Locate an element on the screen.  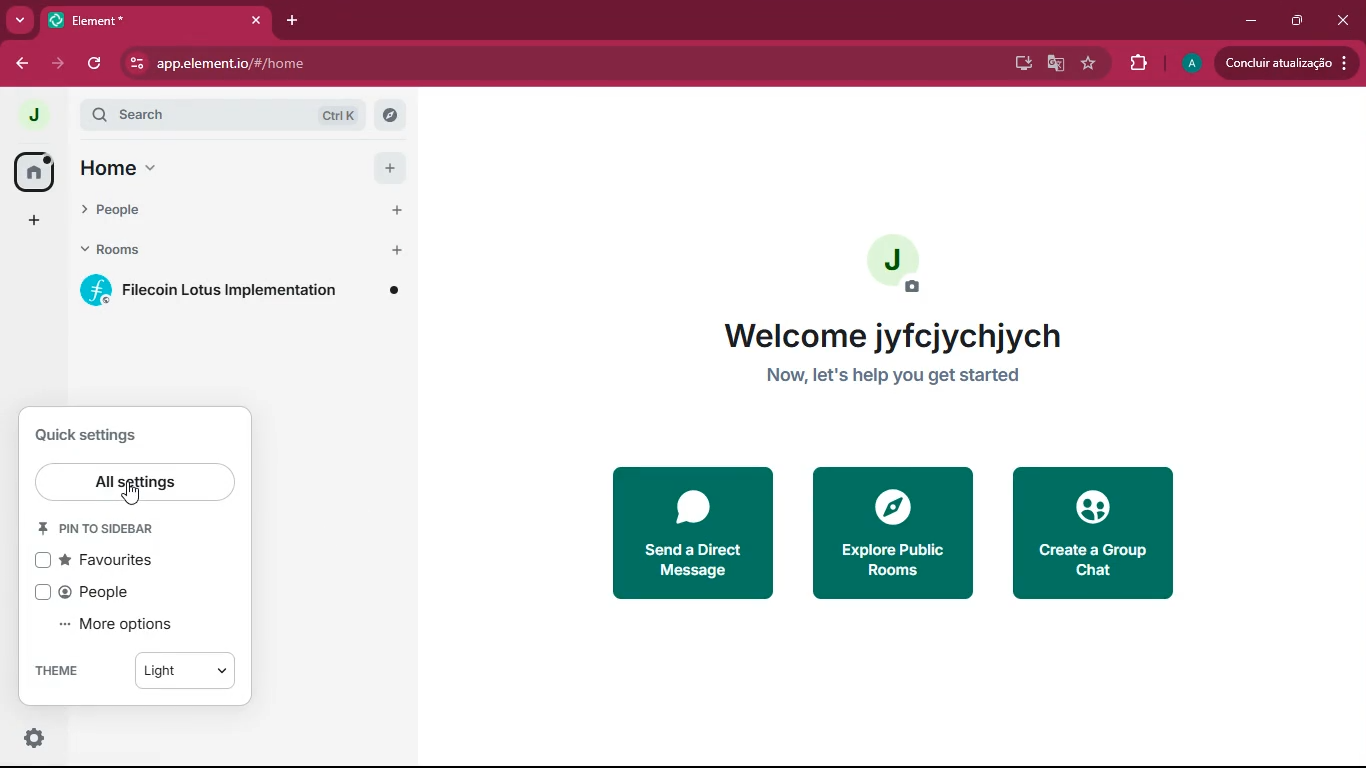
add button is located at coordinates (388, 166).